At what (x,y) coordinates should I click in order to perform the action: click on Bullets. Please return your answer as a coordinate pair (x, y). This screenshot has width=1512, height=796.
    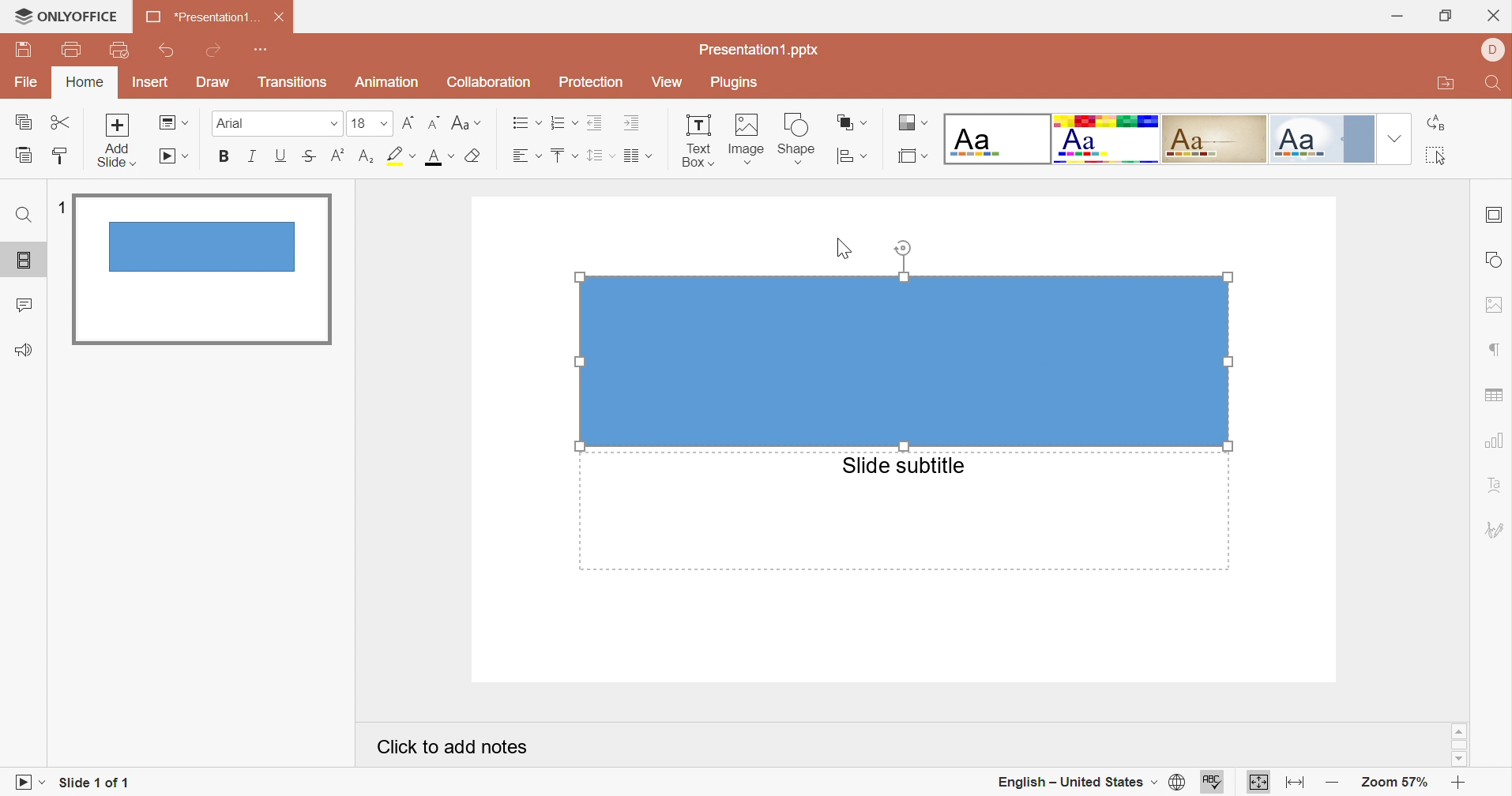
    Looking at the image, I should click on (526, 123).